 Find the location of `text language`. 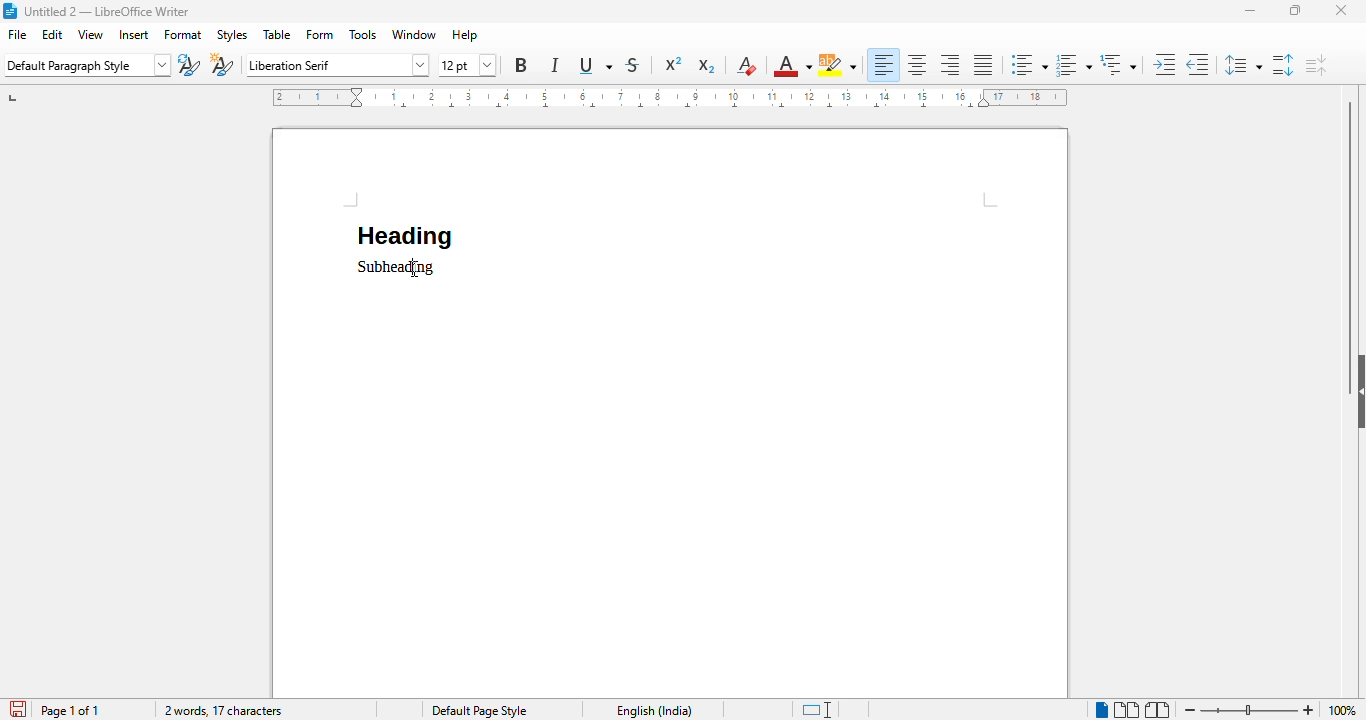

text language is located at coordinates (655, 710).